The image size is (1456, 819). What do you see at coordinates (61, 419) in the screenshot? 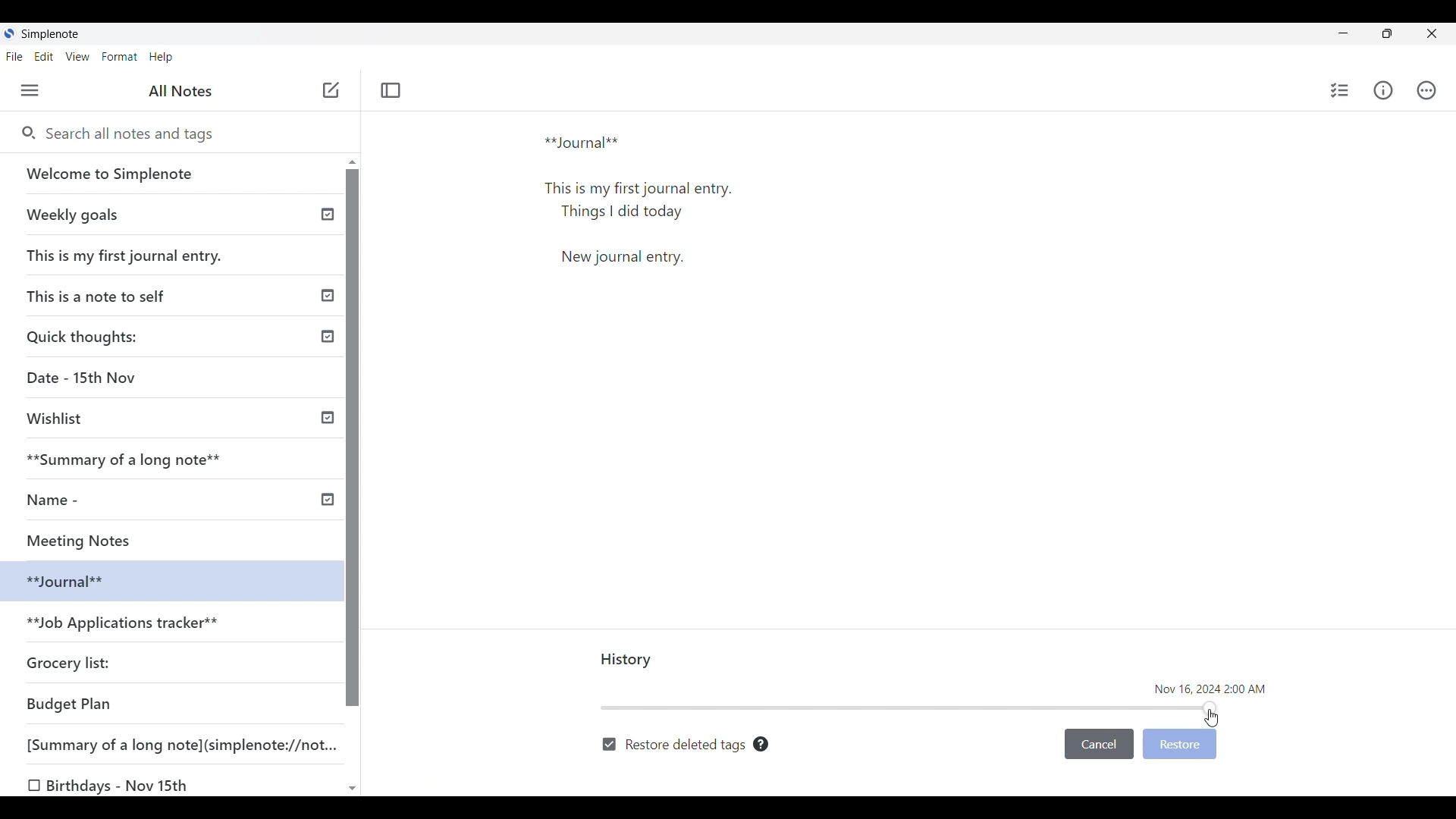
I see `Wishlist` at bounding box center [61, 419].